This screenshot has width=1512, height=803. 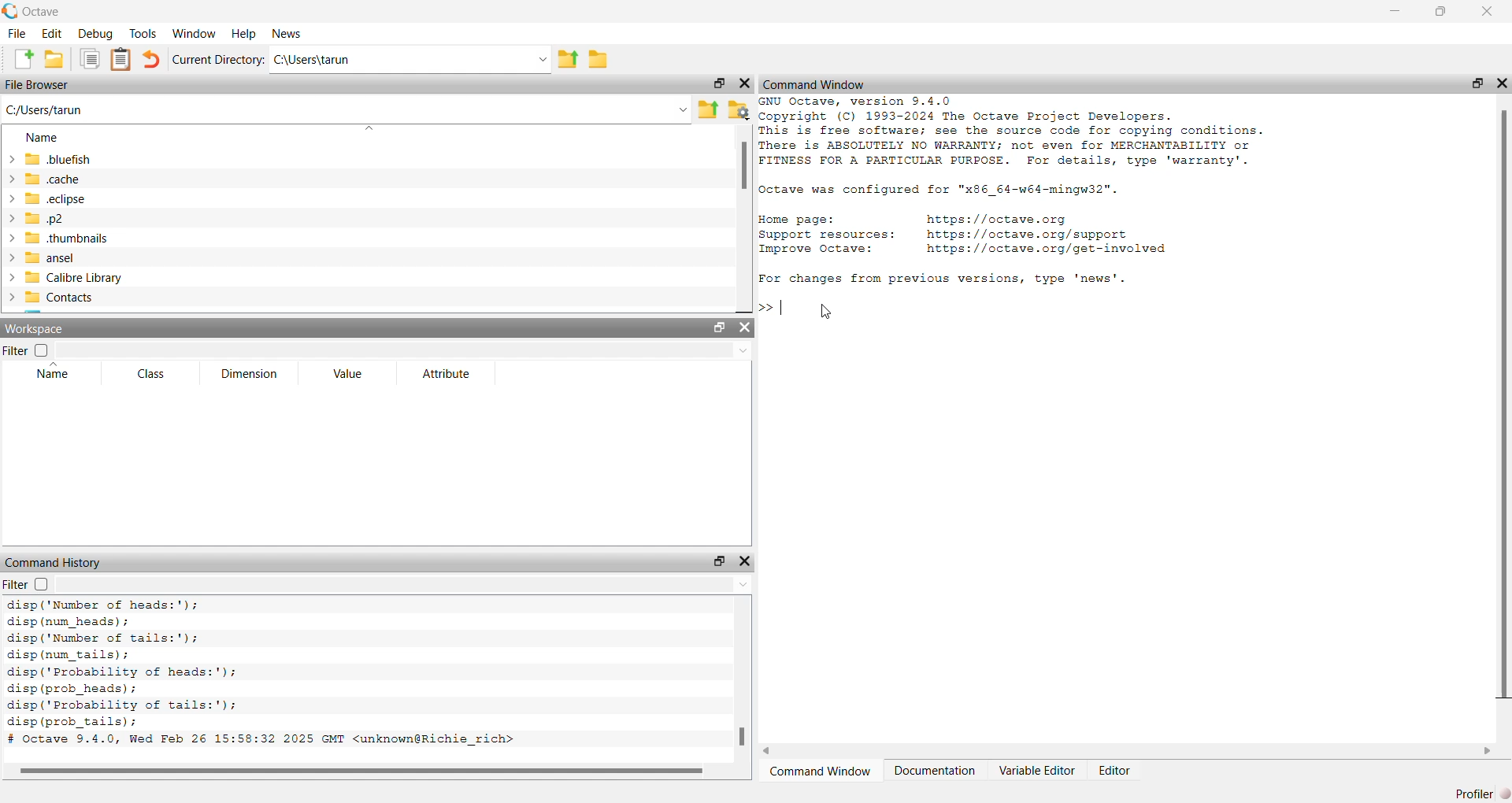 I want to click on Contacts, so click(x=60, y=297).